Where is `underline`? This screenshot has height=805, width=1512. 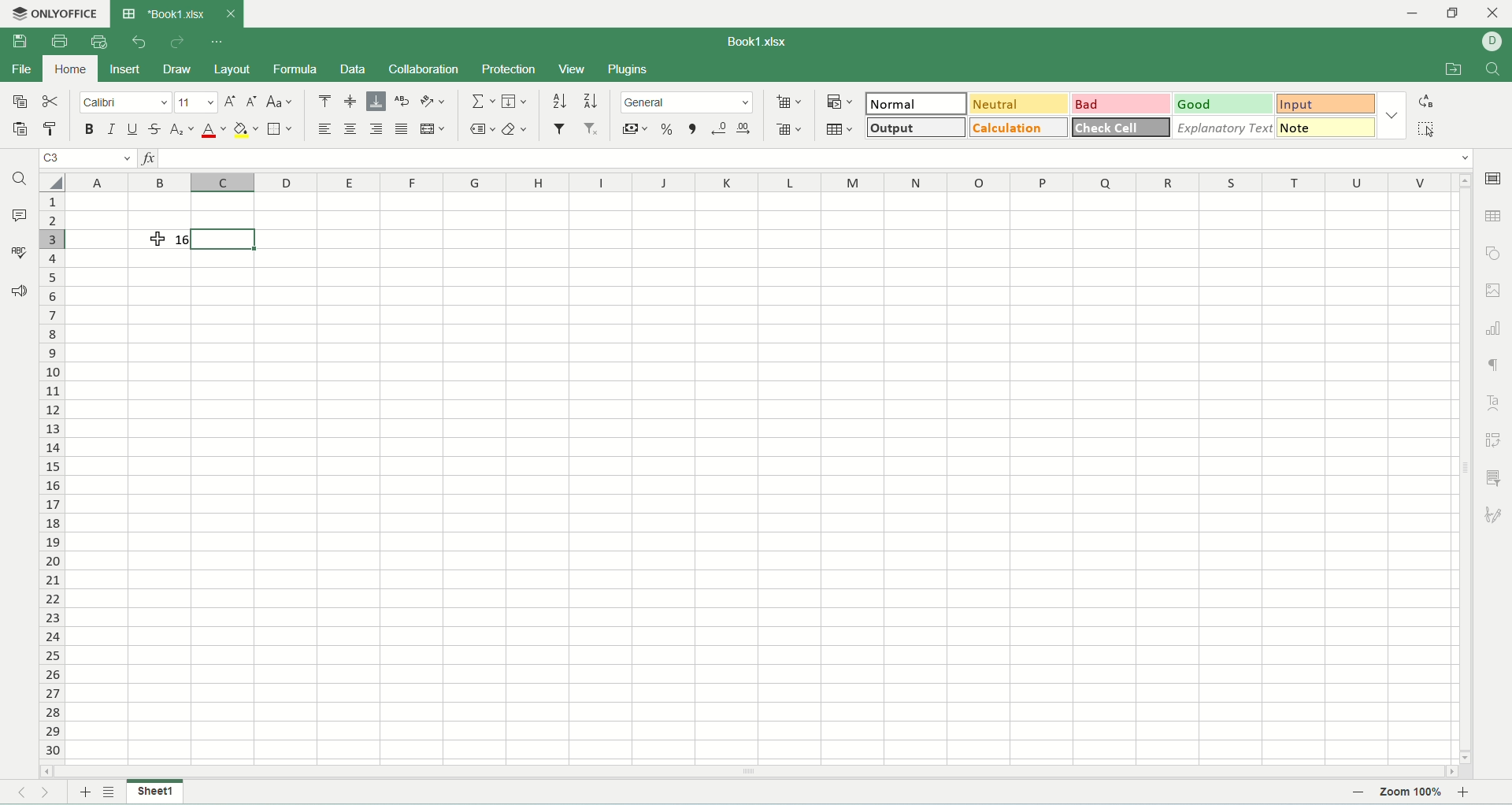 underline is located at coordinates (130, 130).